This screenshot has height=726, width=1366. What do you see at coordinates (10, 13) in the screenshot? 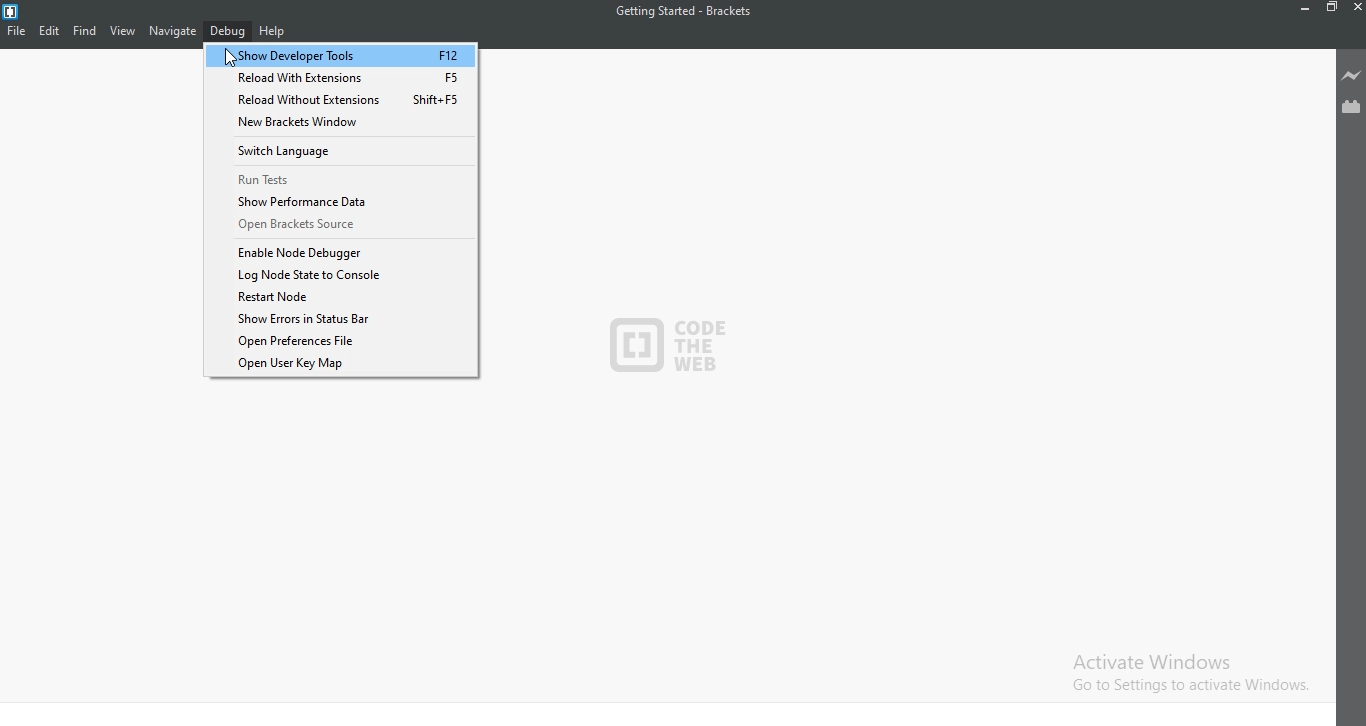
I see `logo` at bounding box center [10, 13].